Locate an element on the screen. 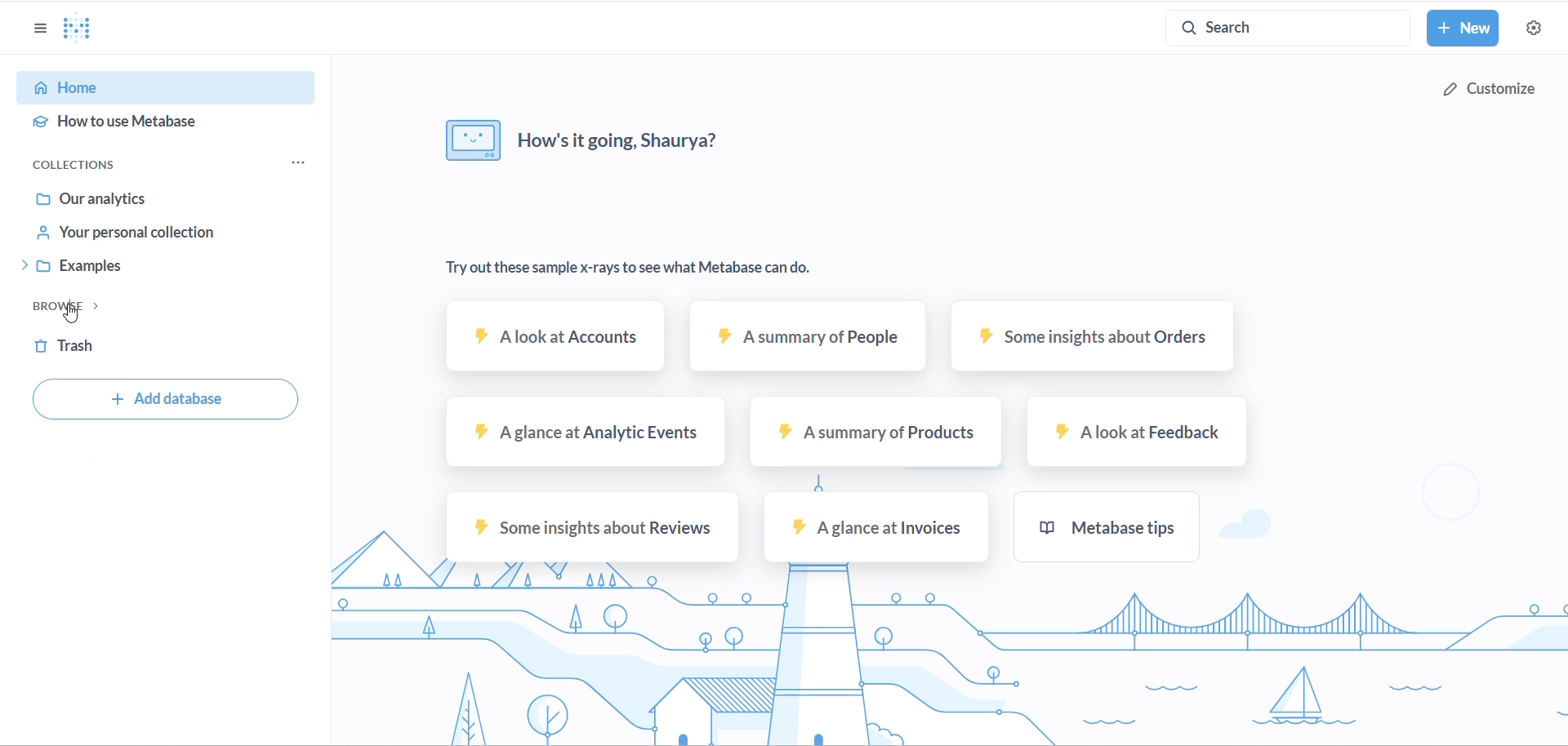  A summary of people text is located at coordinates (819, 342).